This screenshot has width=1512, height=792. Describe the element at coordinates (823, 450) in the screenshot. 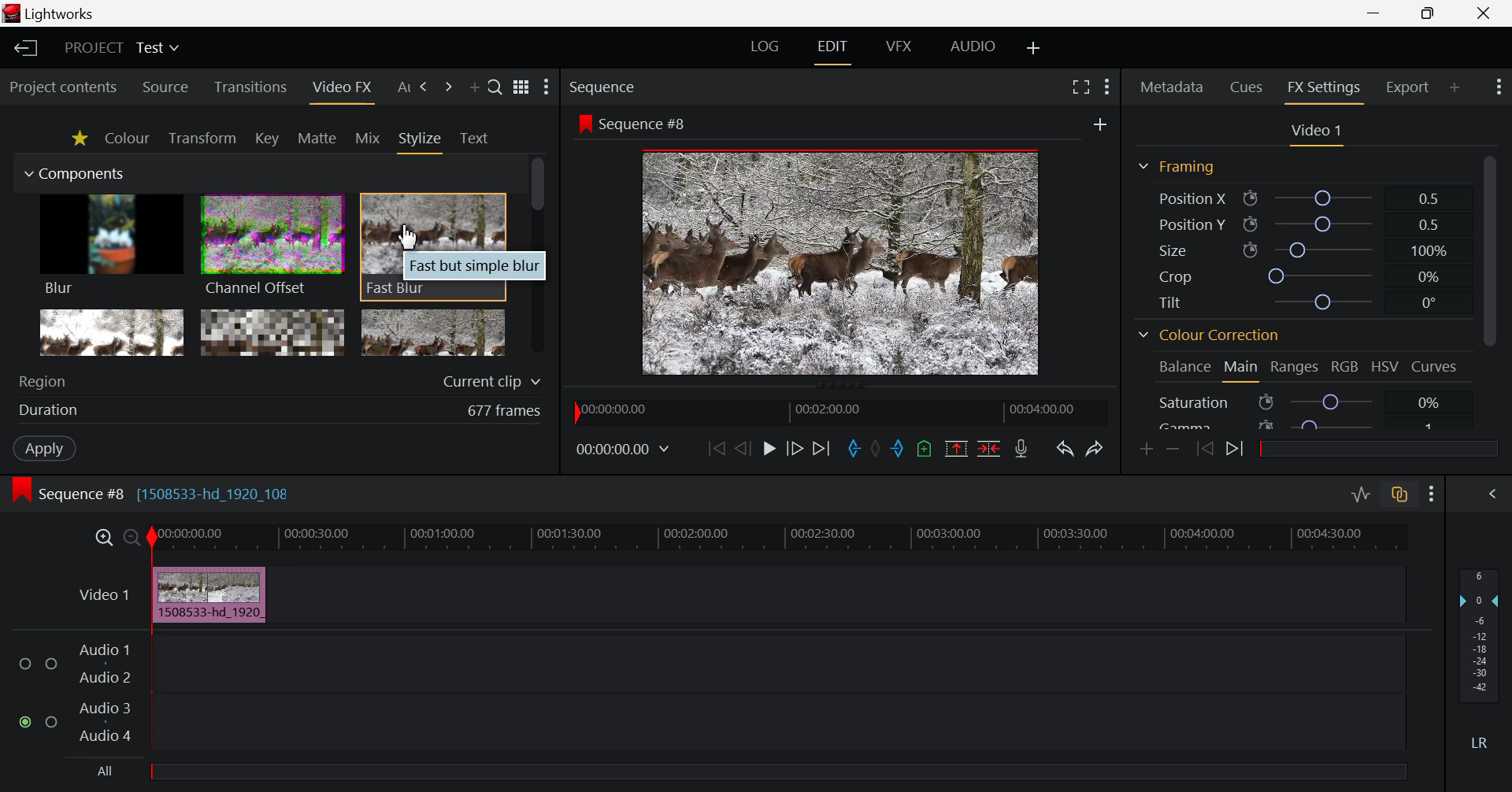

I see `To End` at that location.